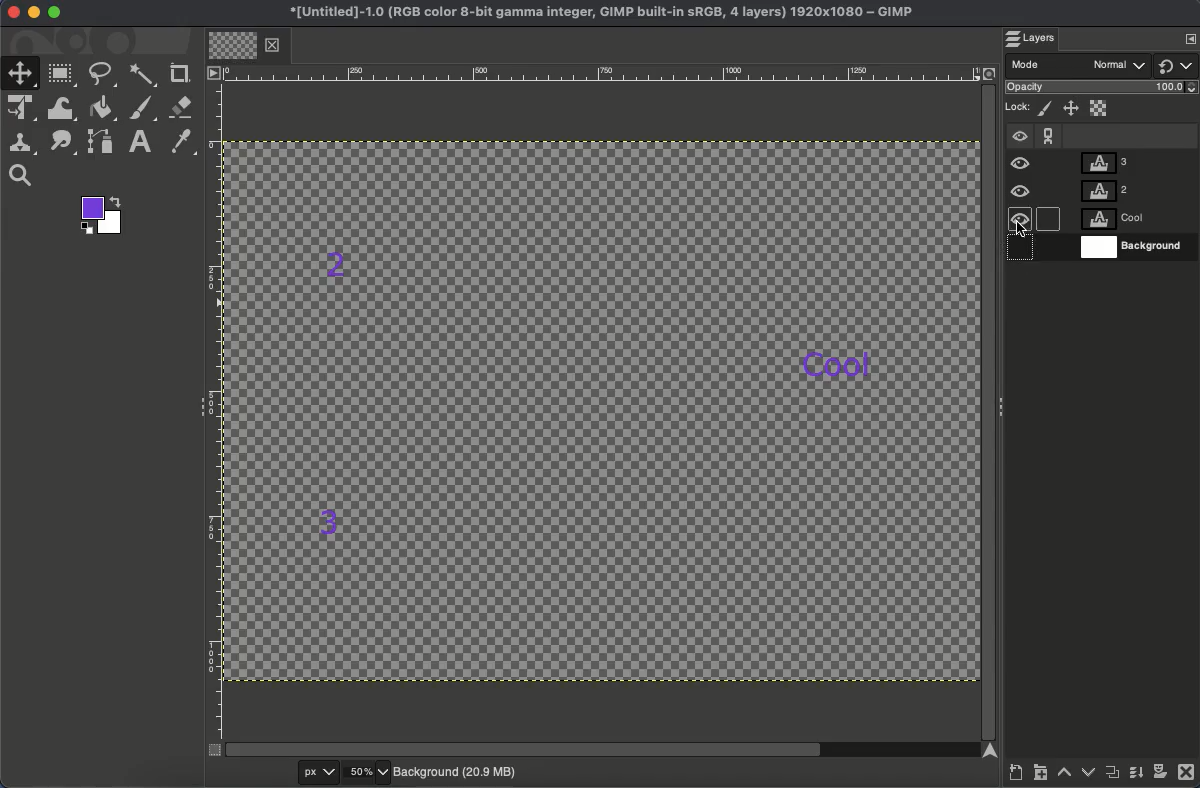  I want to click on Add a mask, so click(1160, 775).